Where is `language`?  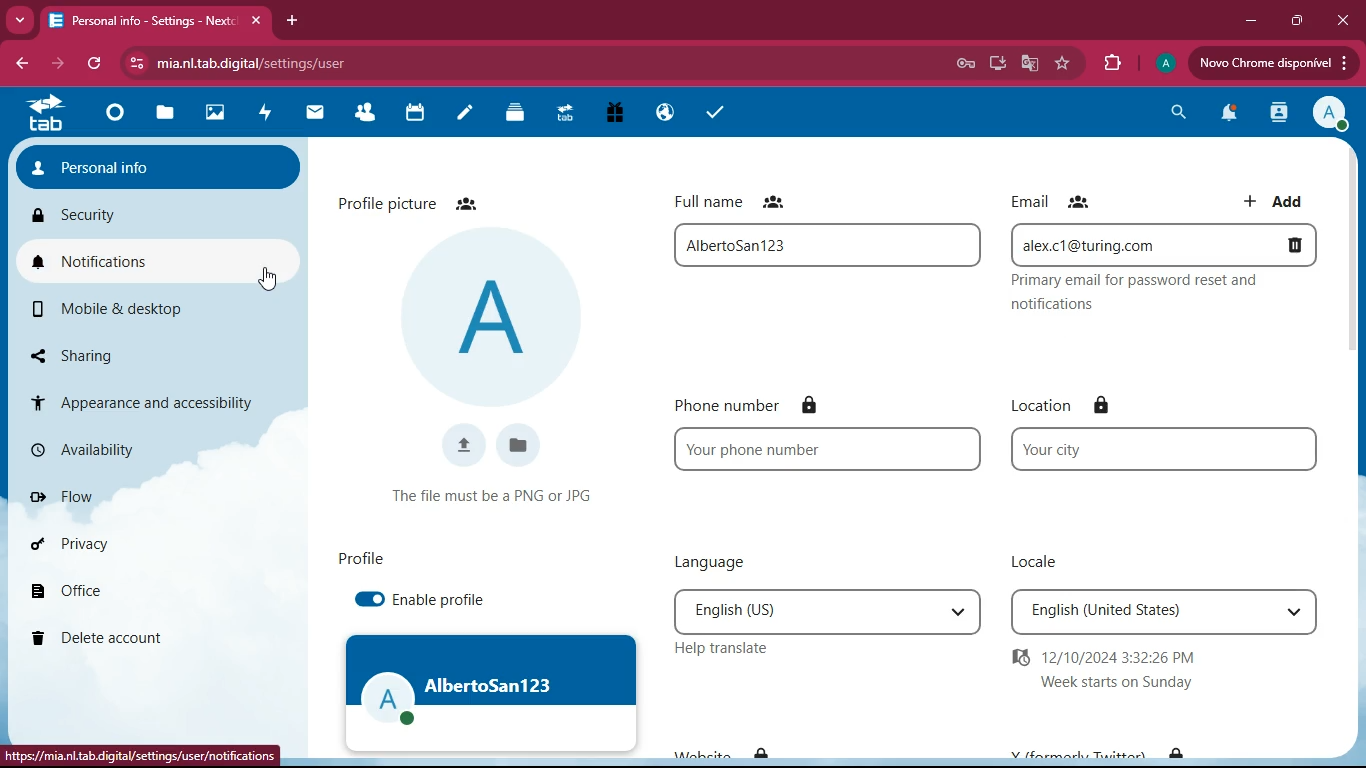 language is located at coordinates (830, 611).